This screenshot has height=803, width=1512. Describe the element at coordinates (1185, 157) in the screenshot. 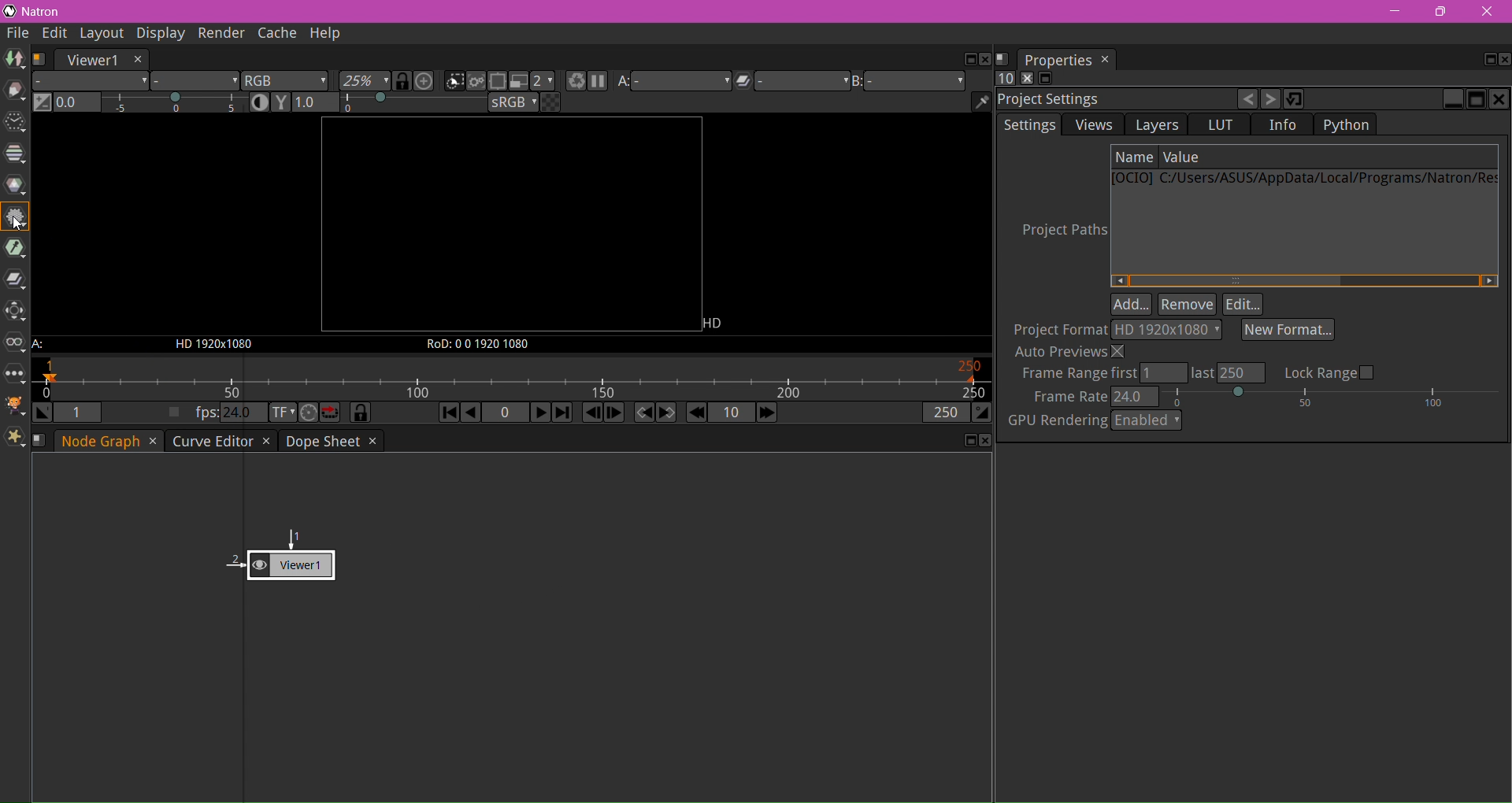

I see `Value` at that location.